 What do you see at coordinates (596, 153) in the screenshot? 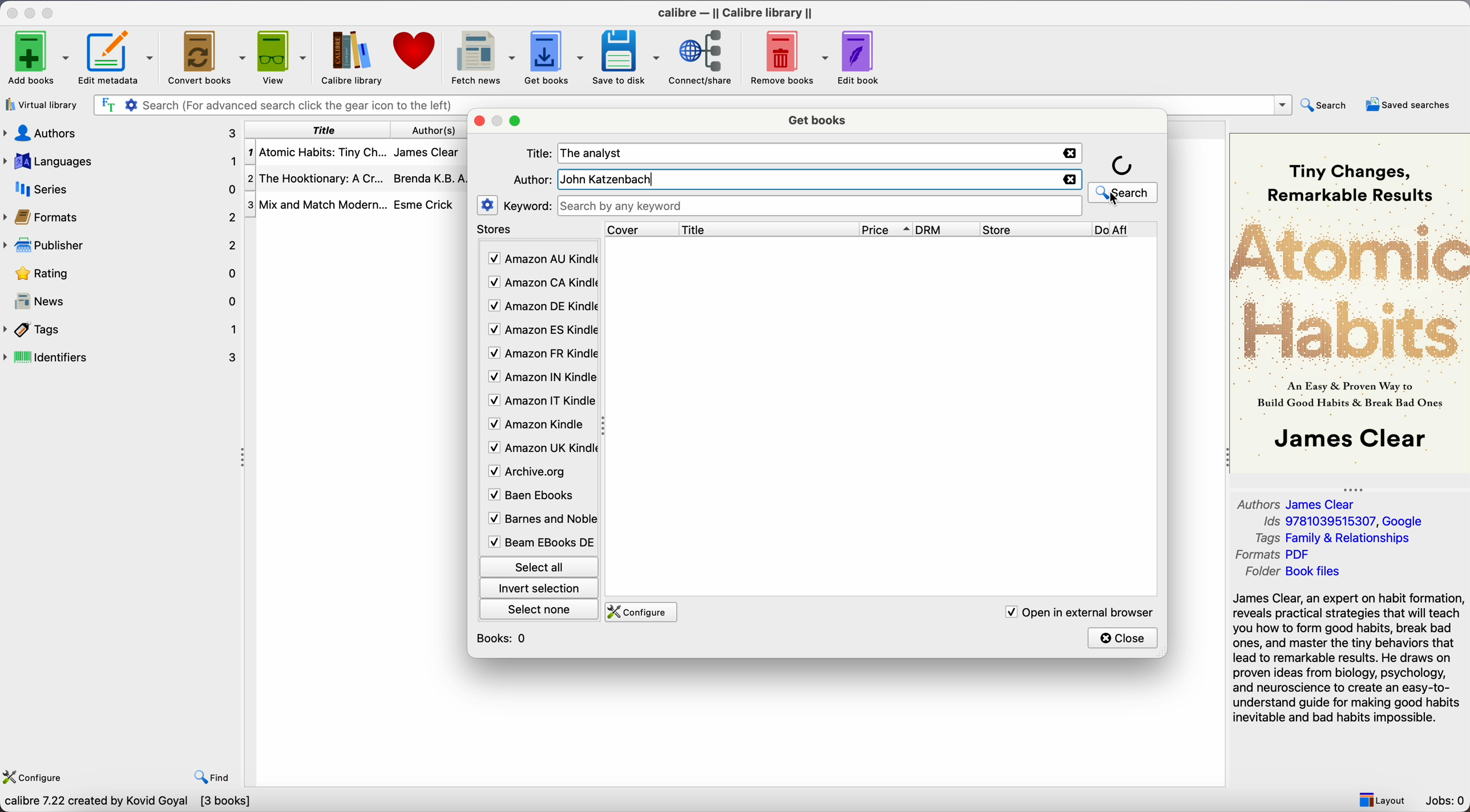
I see `The analyst` at bounding box center [596, 153].